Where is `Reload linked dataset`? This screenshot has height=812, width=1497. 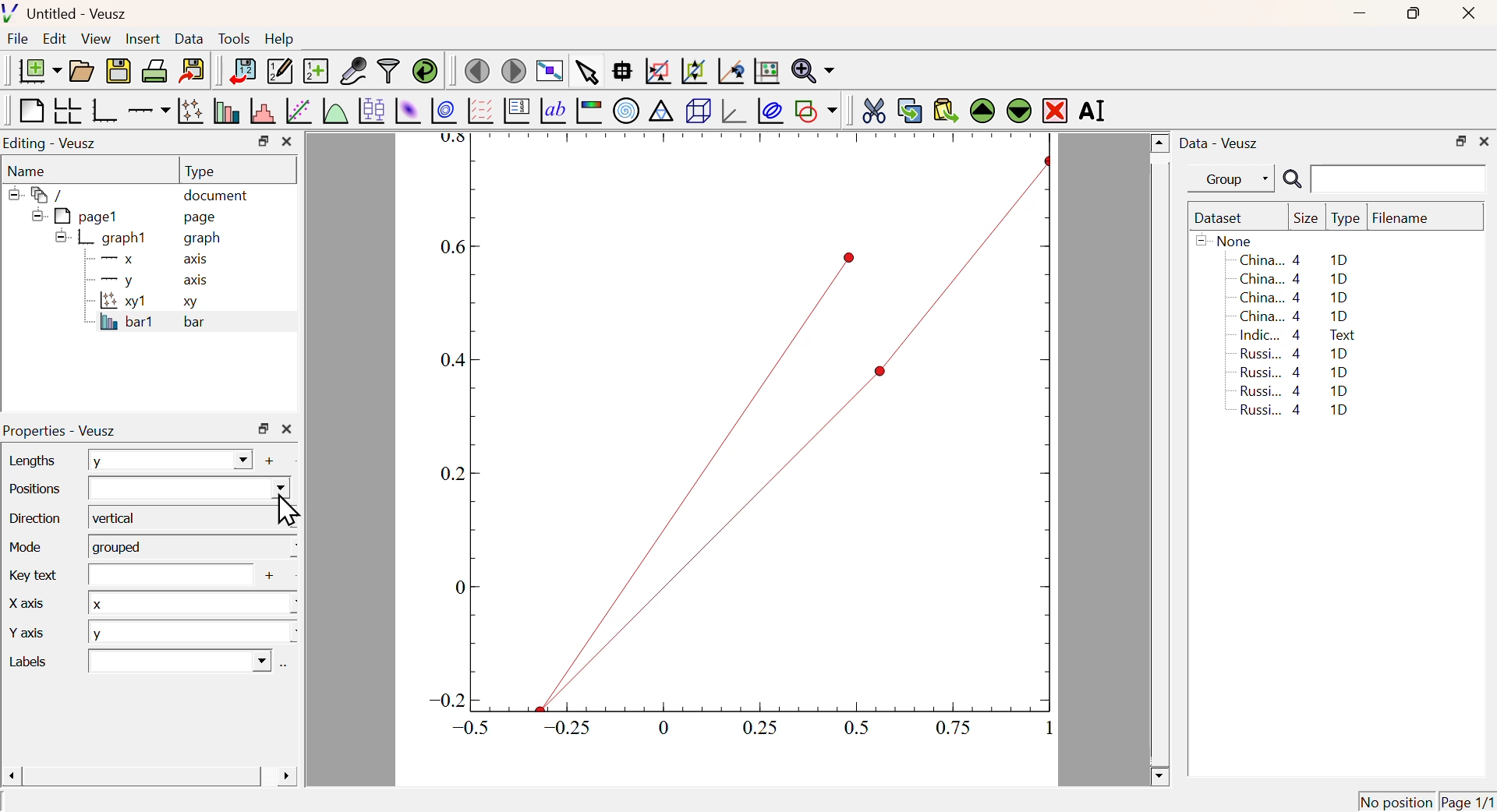 Reload linked dataset is located at coordinates (425, 69).